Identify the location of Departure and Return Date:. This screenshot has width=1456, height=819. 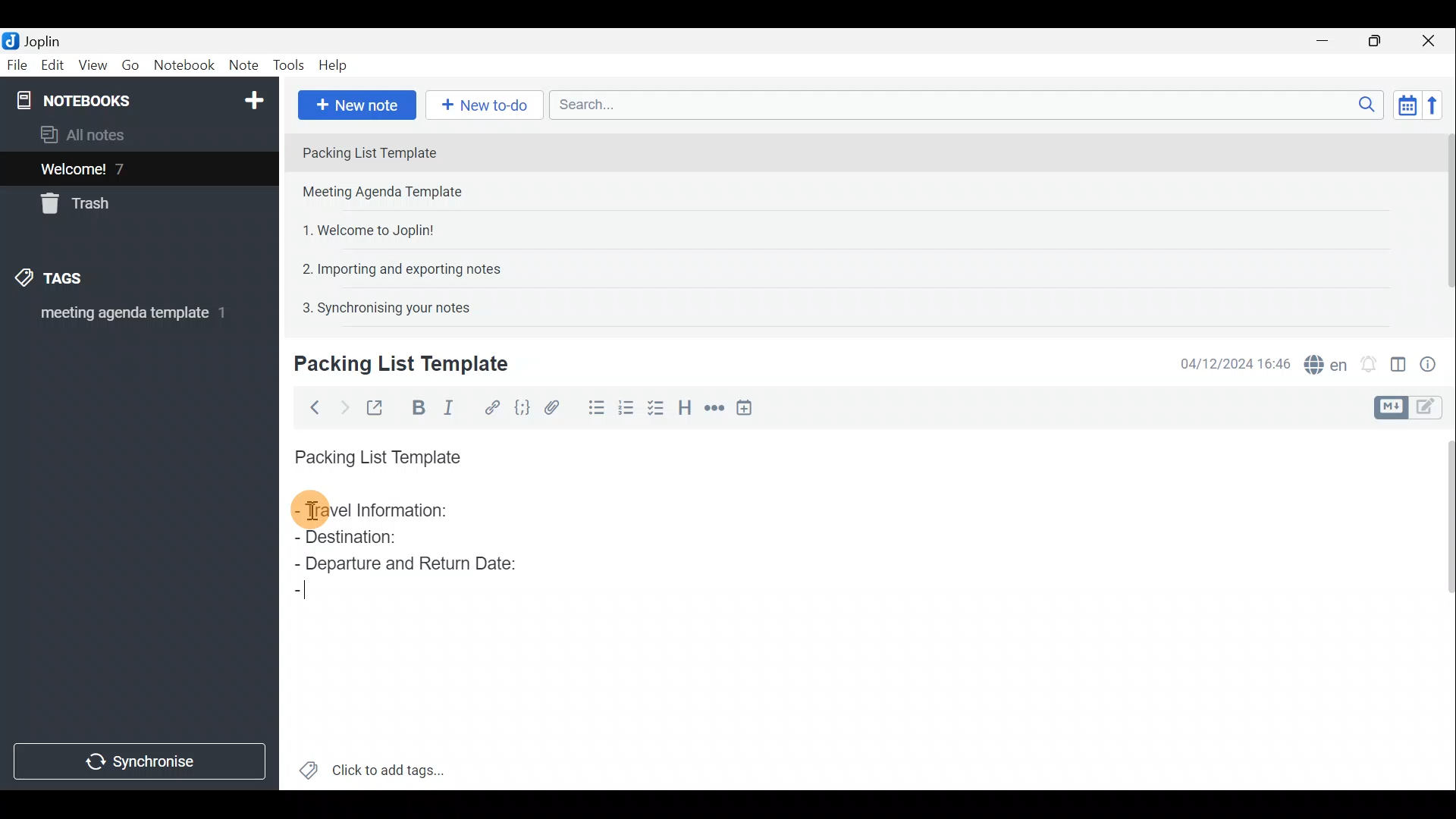
(406, 563).